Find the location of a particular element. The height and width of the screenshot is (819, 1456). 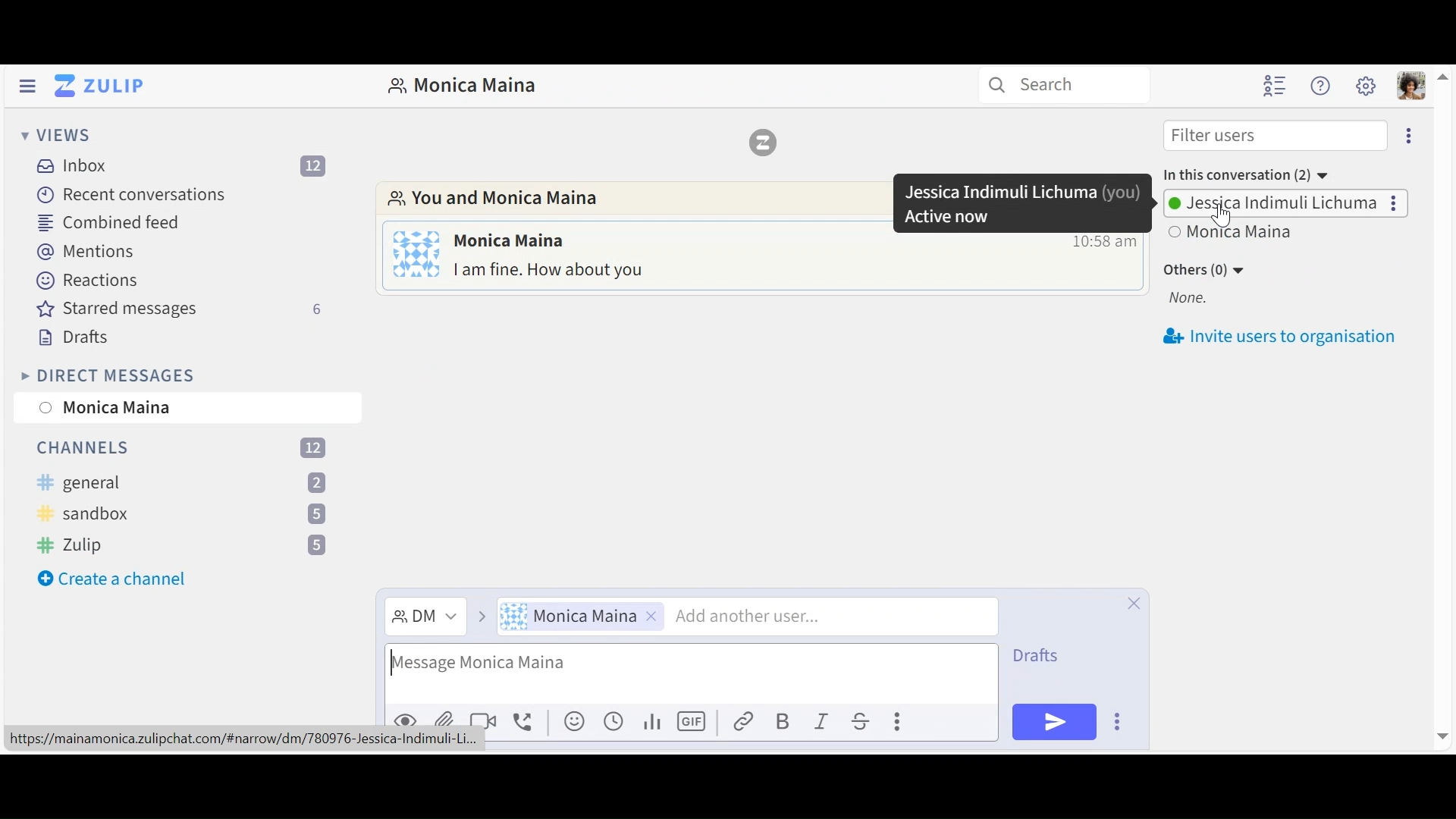

Mentions is located at coordinates (87, 251).